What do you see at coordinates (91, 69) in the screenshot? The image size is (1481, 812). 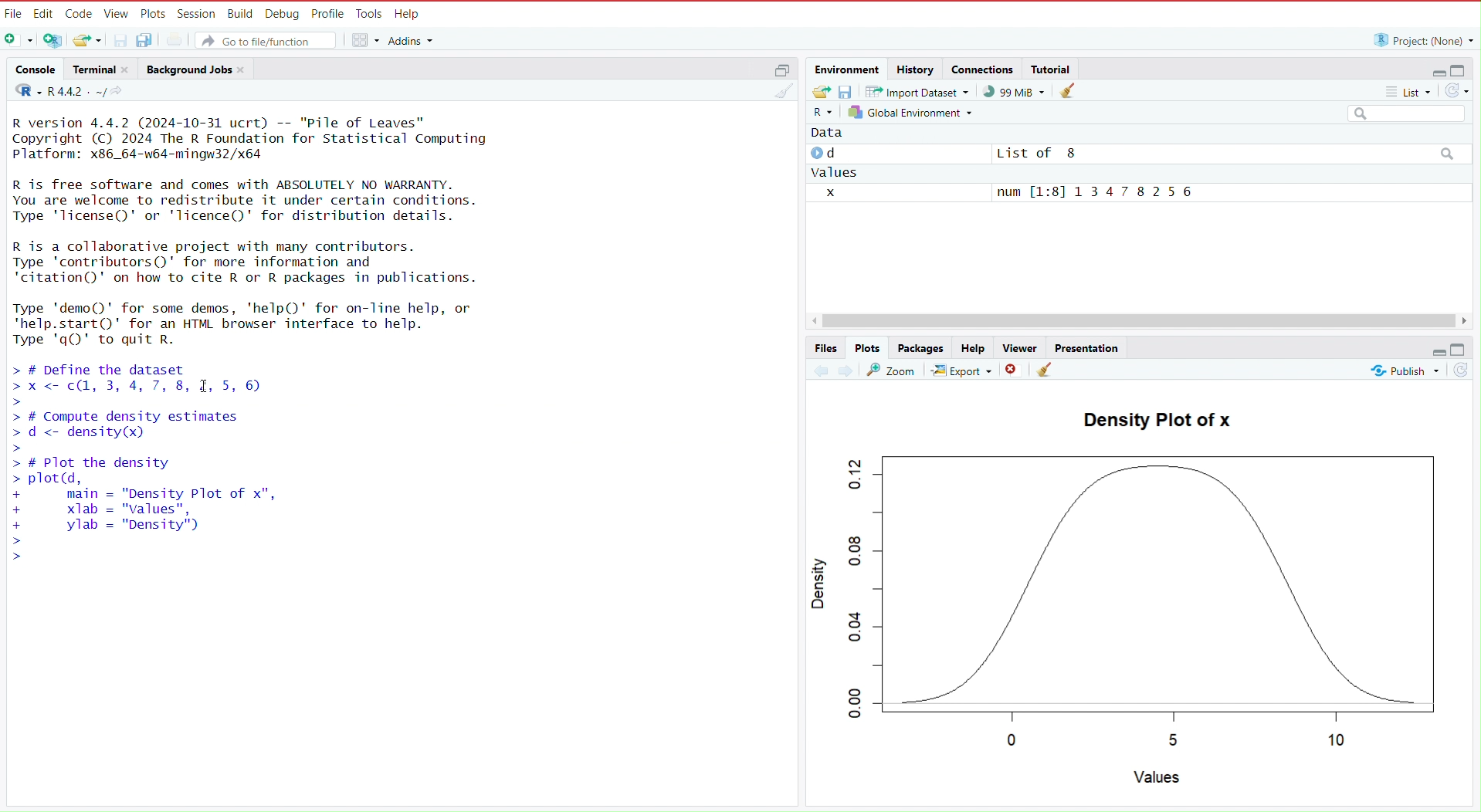 I see `terminal` at bounding box center [91, 69].